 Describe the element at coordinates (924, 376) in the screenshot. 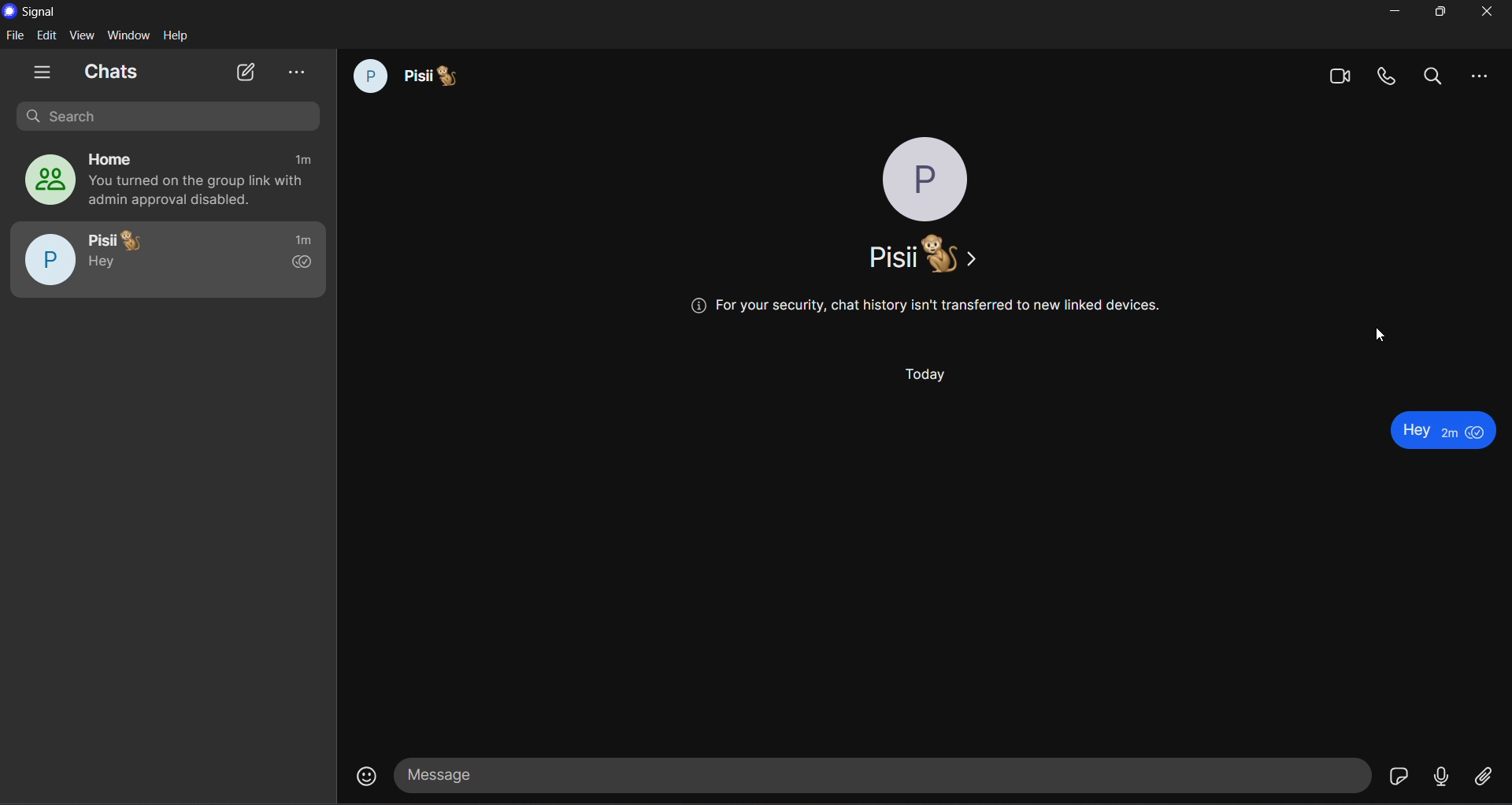

I see `Today` at that location.